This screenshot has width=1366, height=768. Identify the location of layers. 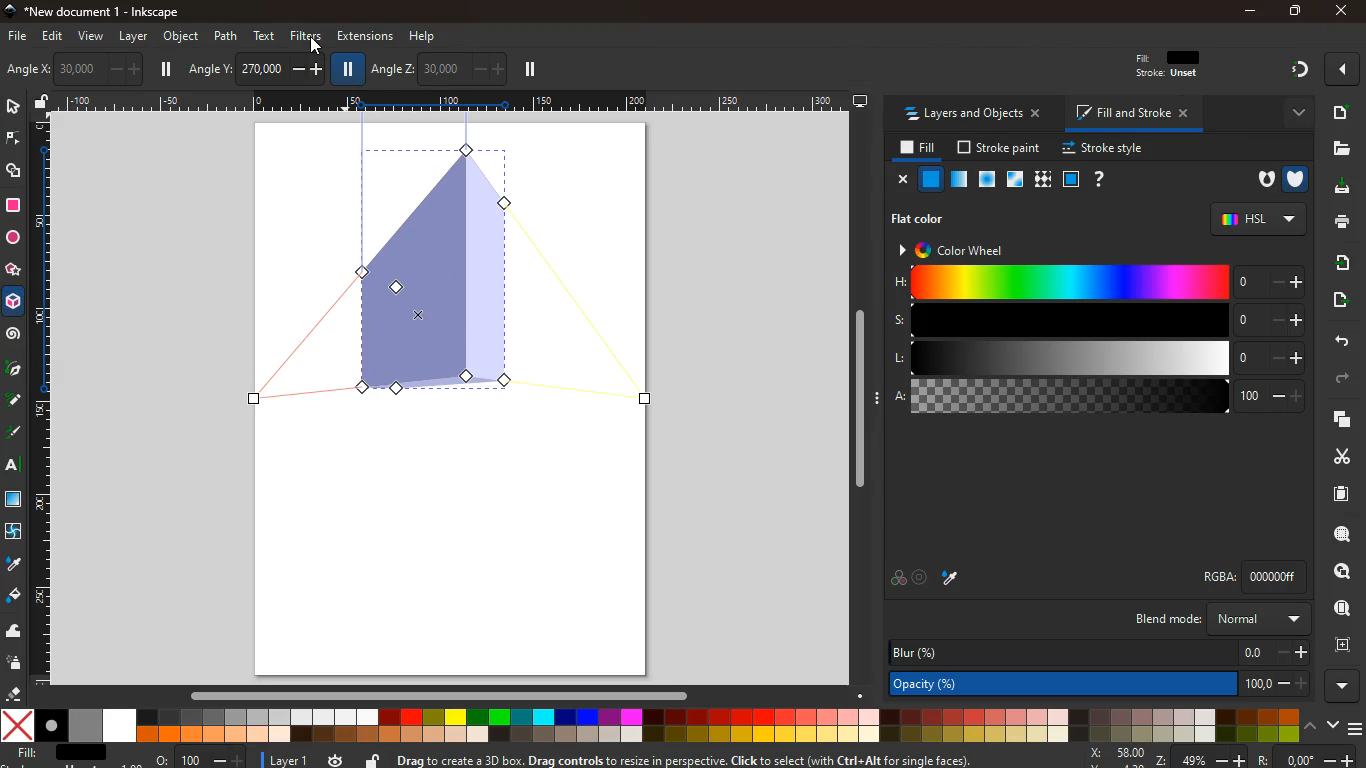
(1338, 421).